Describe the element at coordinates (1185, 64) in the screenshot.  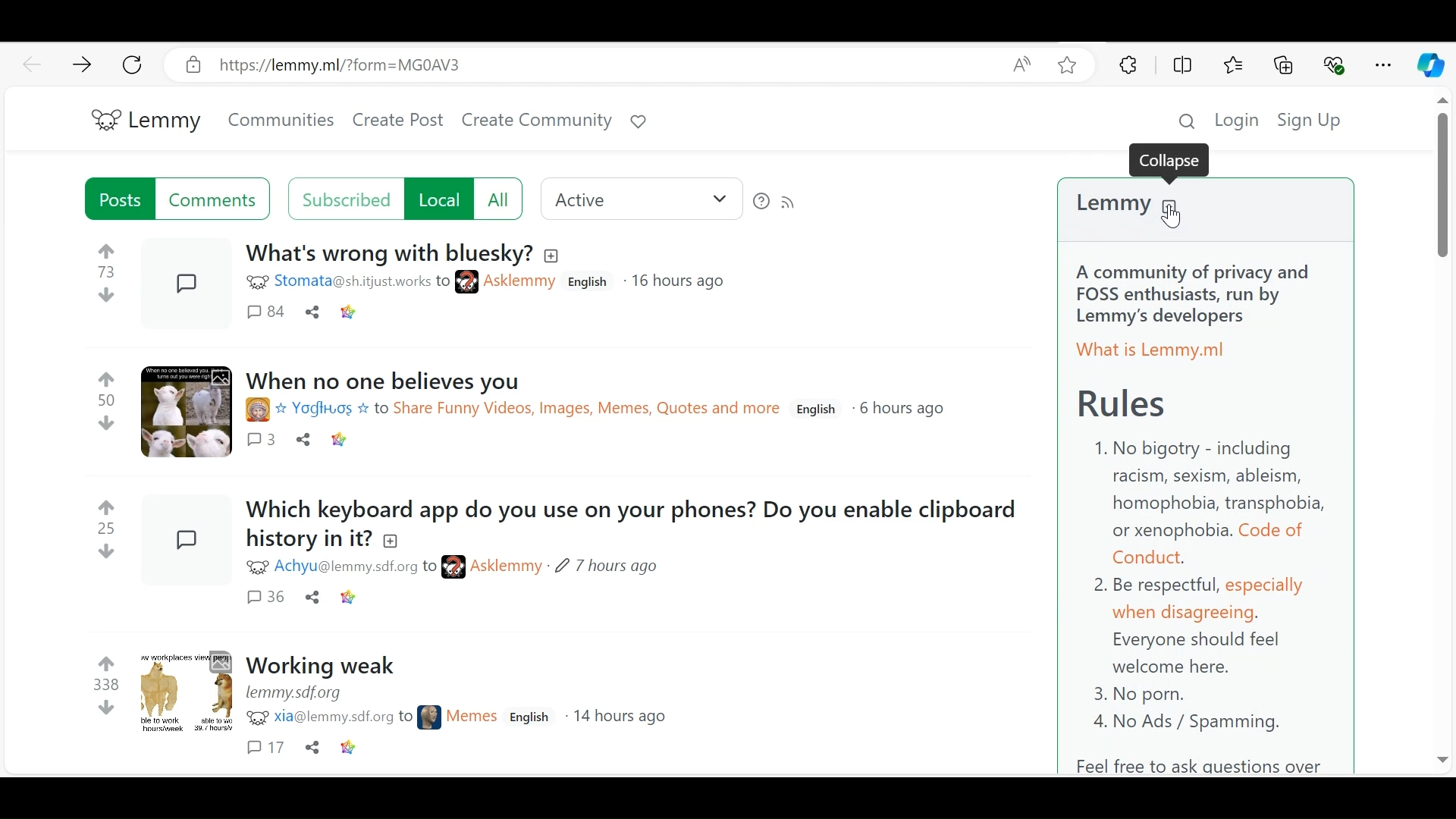
I see `Split Screen` at that location.